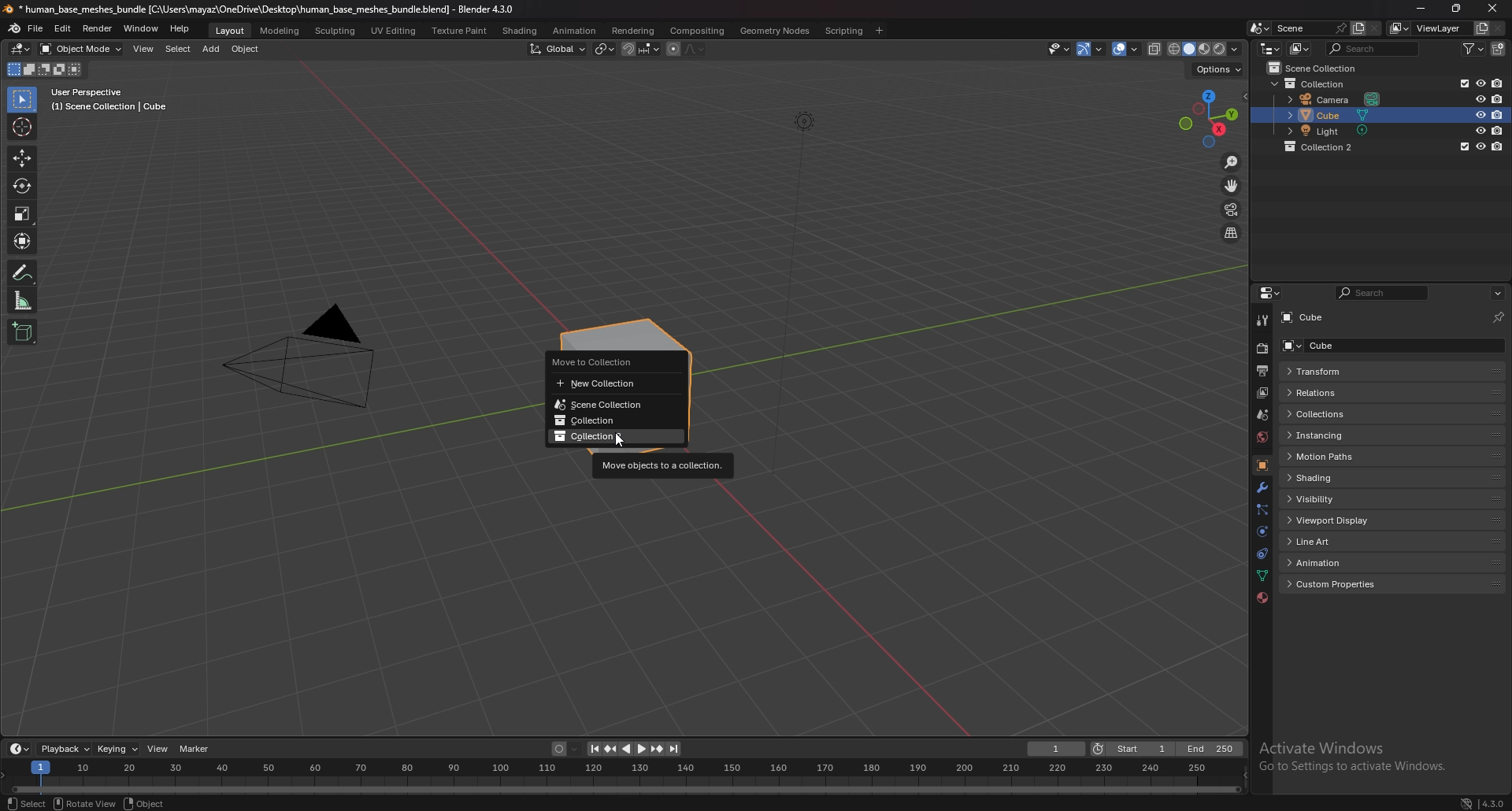  I want to click on compositing, so click(697, 31).